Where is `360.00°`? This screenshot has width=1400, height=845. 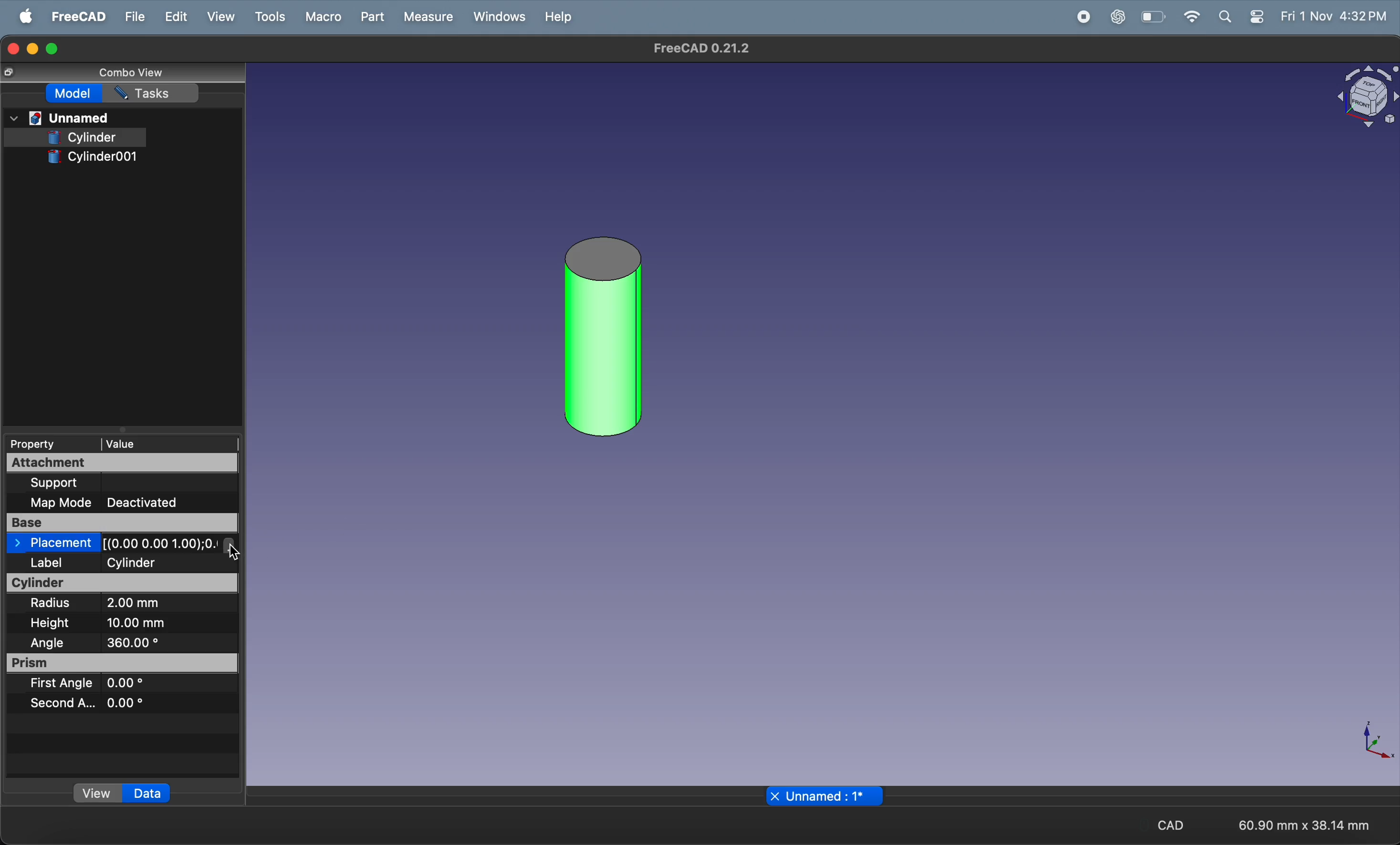
360.00° is located at coordinates (163, 642).